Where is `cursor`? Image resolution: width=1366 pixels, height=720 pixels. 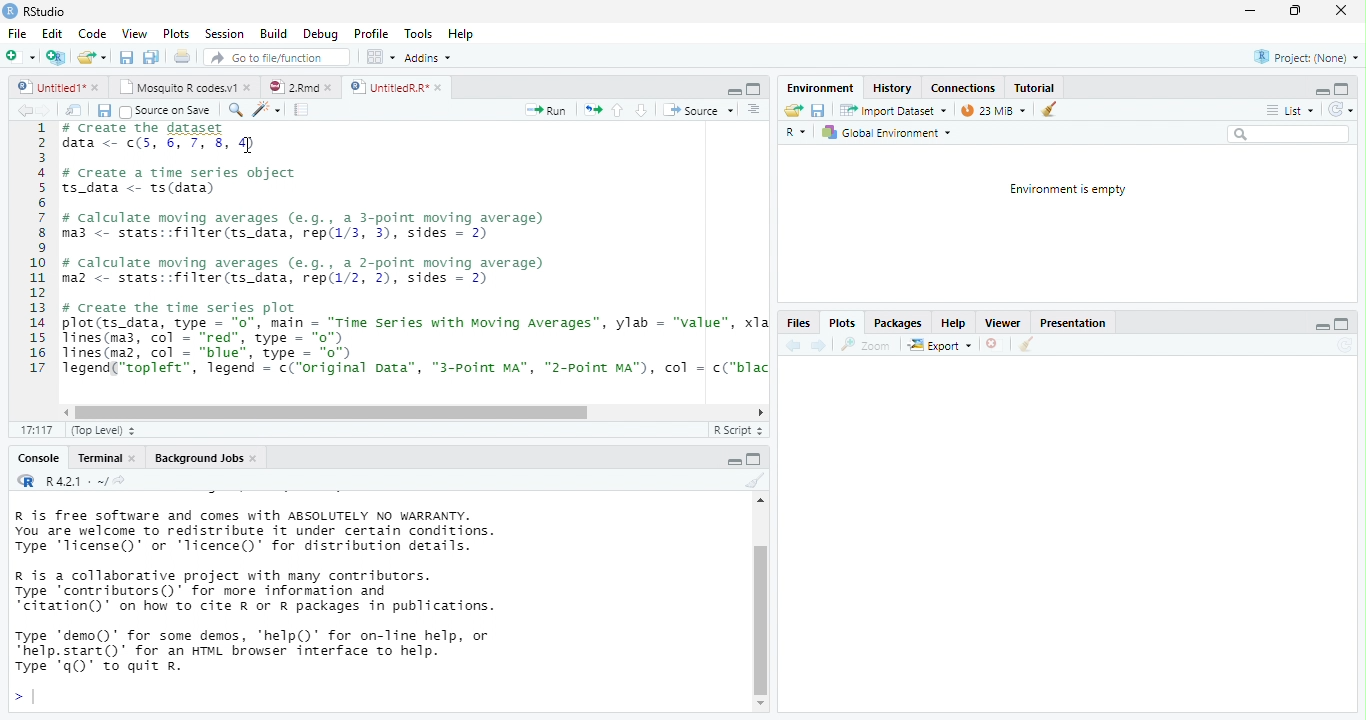
cursor is located at coordinates (246, 145).